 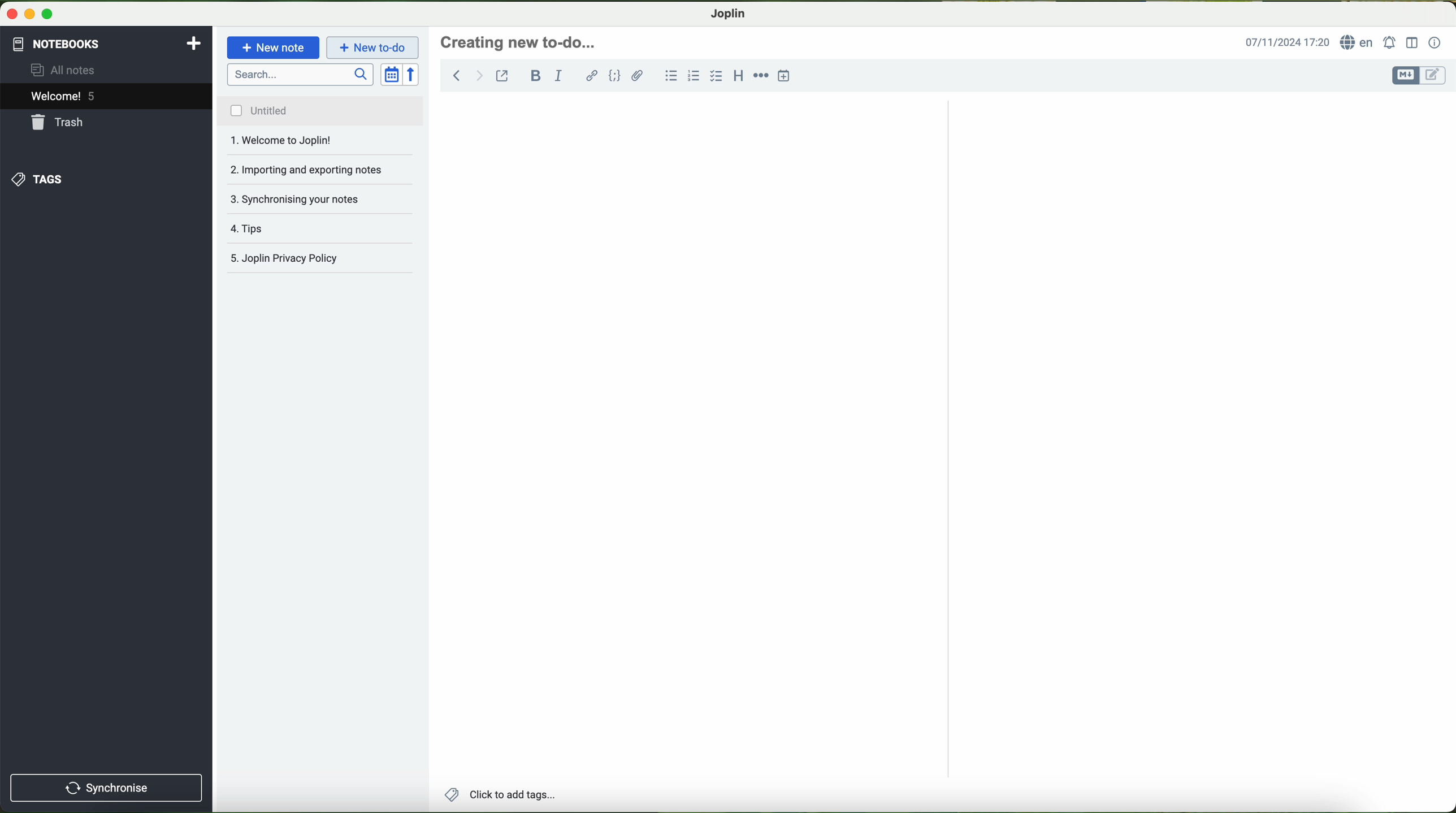 What do you see at coordinates (392, 75) in the screenshot?
I see `toggle sort order field` at bounding box center [392, 75].